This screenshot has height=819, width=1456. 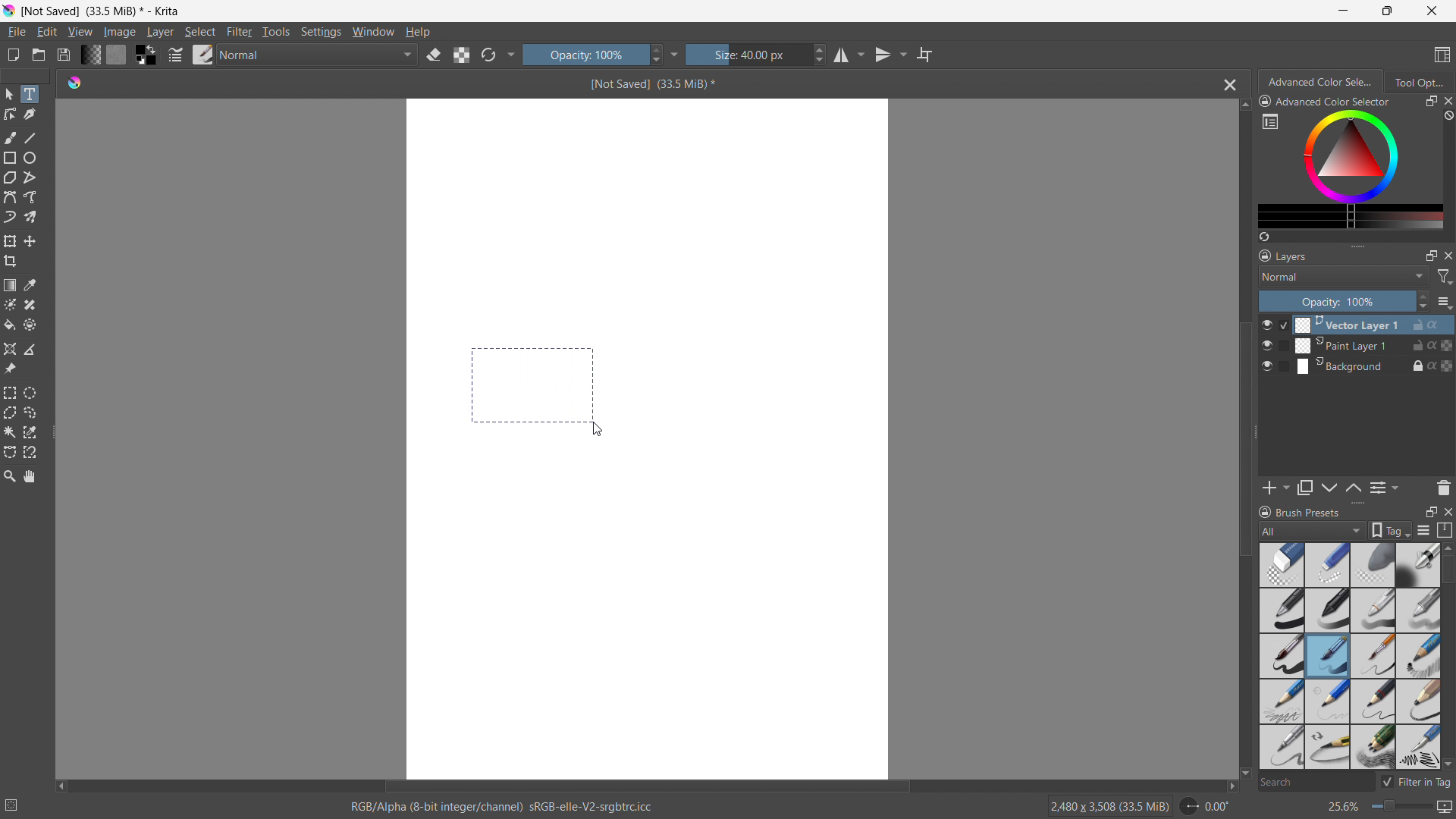 What do you see at coordinates (1447, 255) in the screenshot?
I see `close` at bounding box center [1447, 255].